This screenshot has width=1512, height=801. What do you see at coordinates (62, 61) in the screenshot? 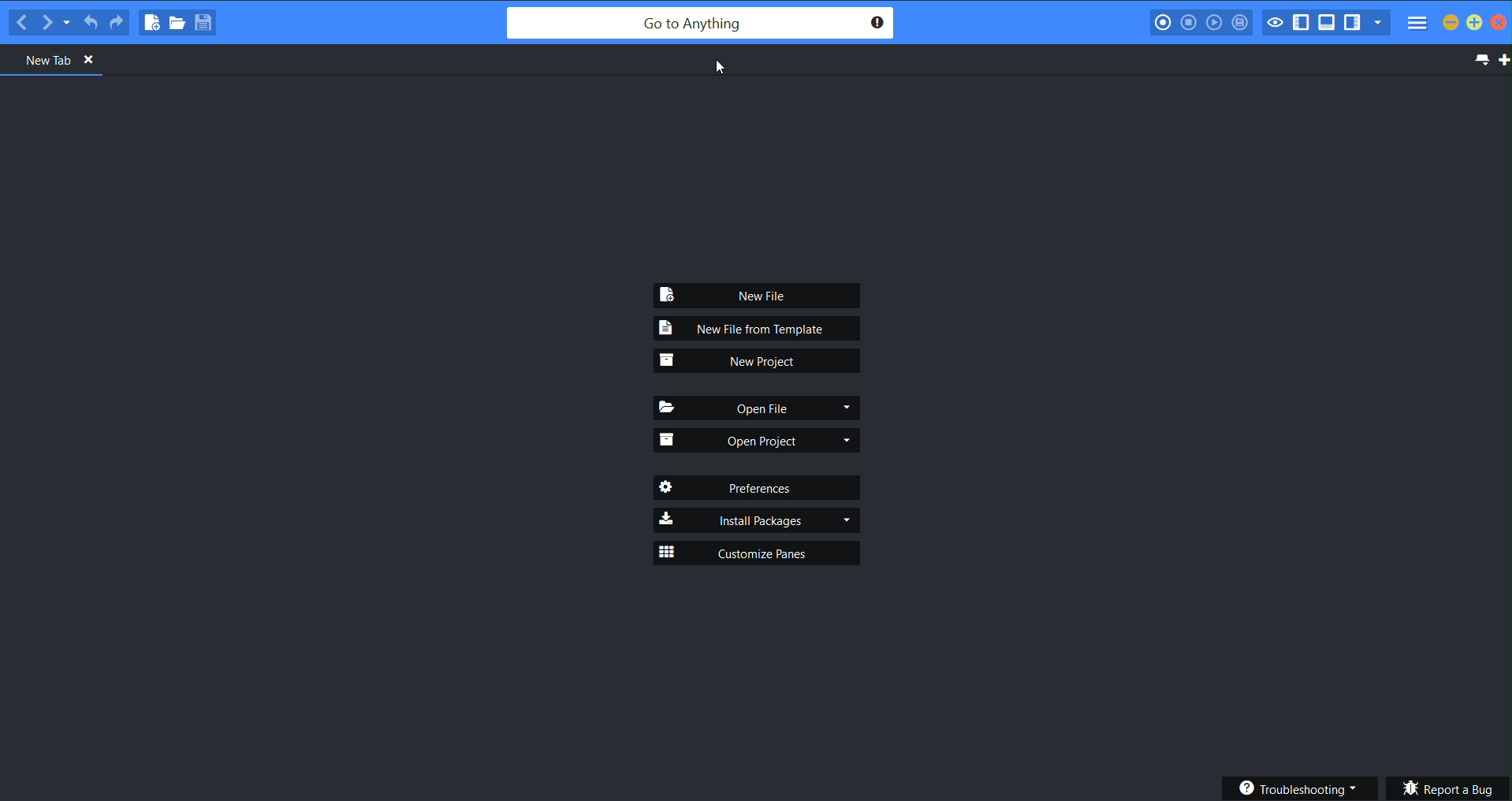
I see `New tab` at bounding box center [62, 61].